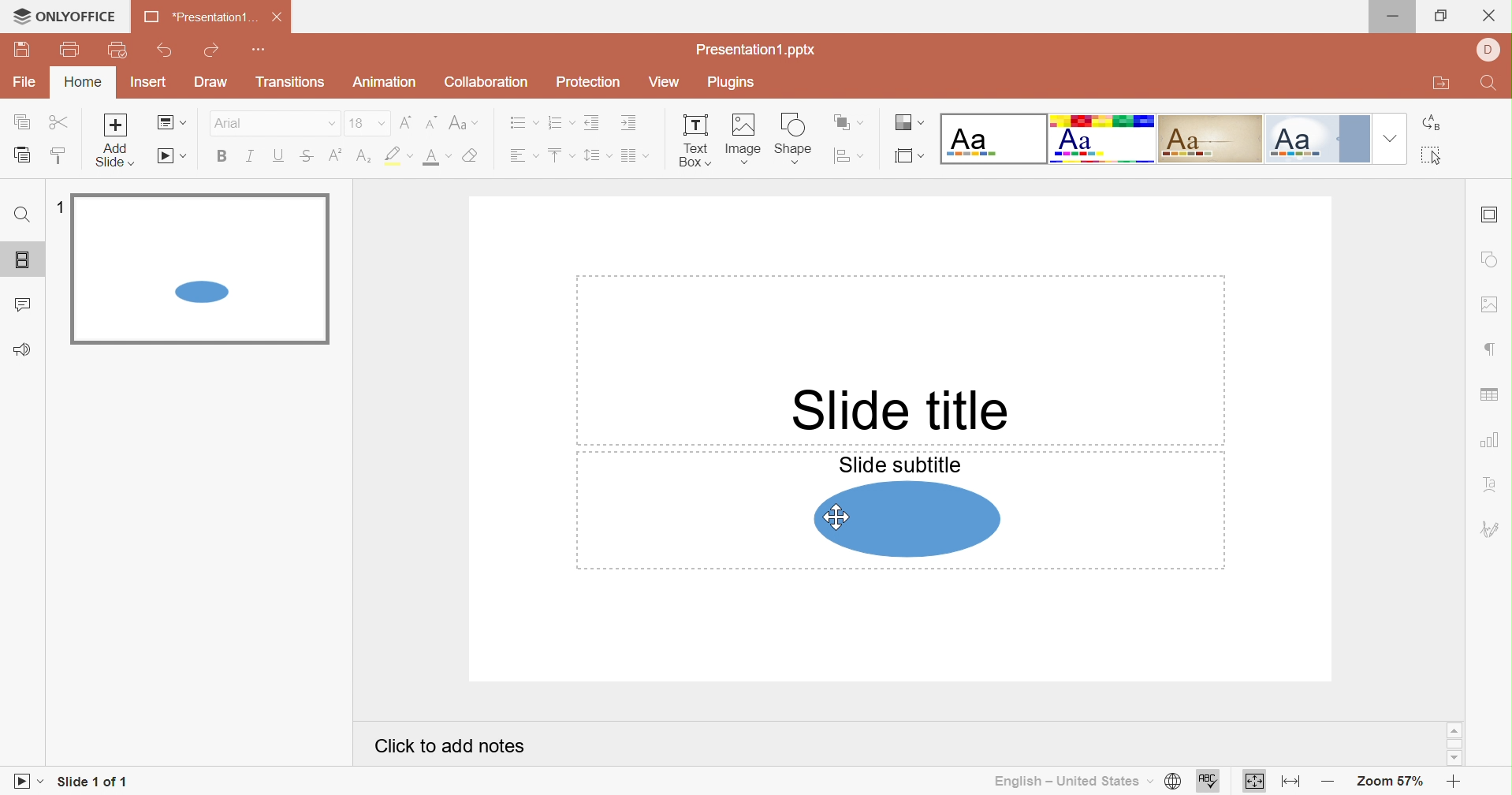  Describe the element at coordinates (1490, 530) in the screenshot. I see `Signature settings` at that location.